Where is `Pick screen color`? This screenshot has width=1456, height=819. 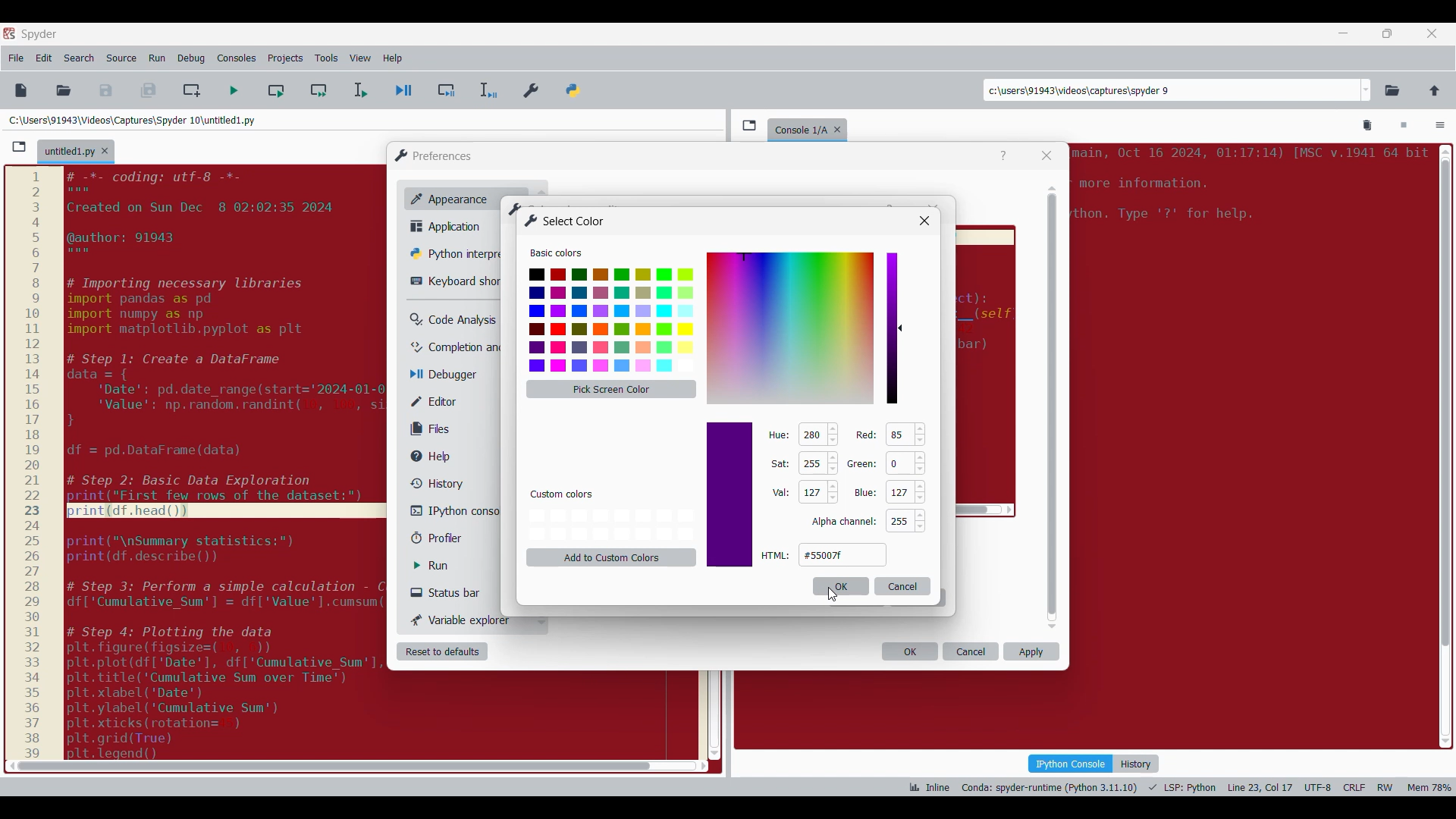
Pick screen color is located at coordinates (611, 389).